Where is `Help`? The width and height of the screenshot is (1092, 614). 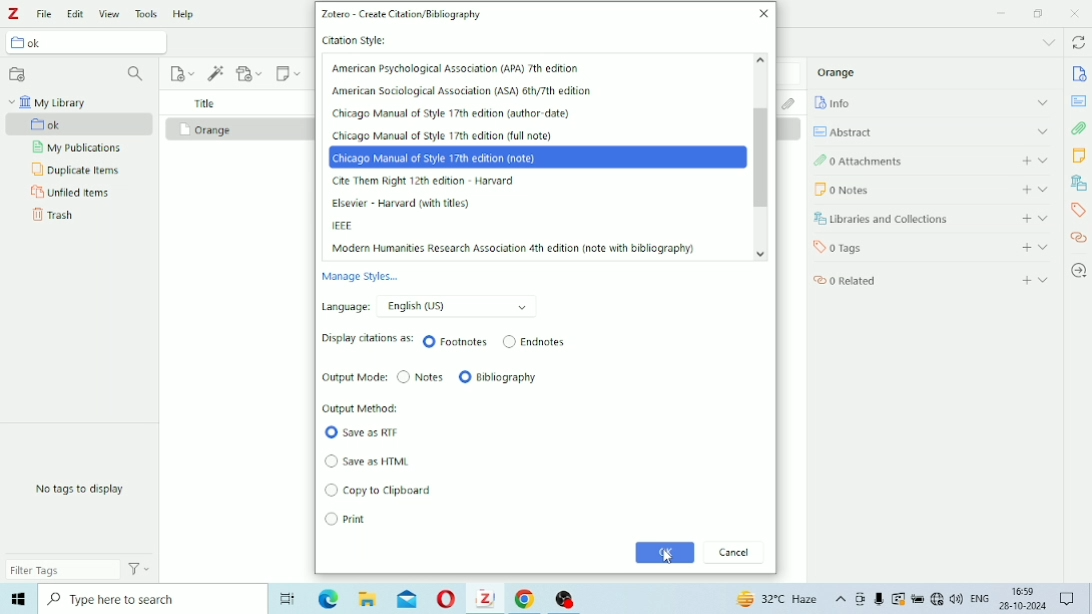
Help is located at coordinates (186, 14).